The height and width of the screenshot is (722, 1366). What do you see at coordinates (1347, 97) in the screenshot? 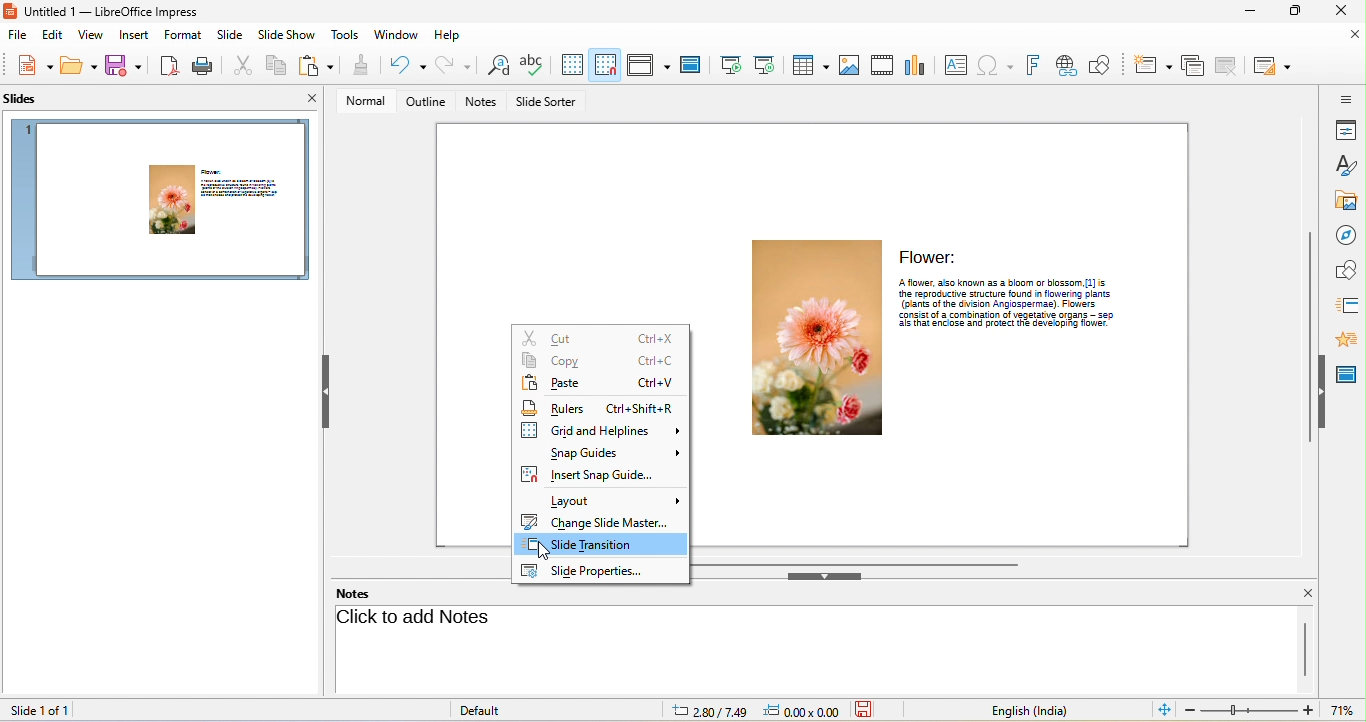
I see `sidebar settings` at bounding box center [1347, 97].